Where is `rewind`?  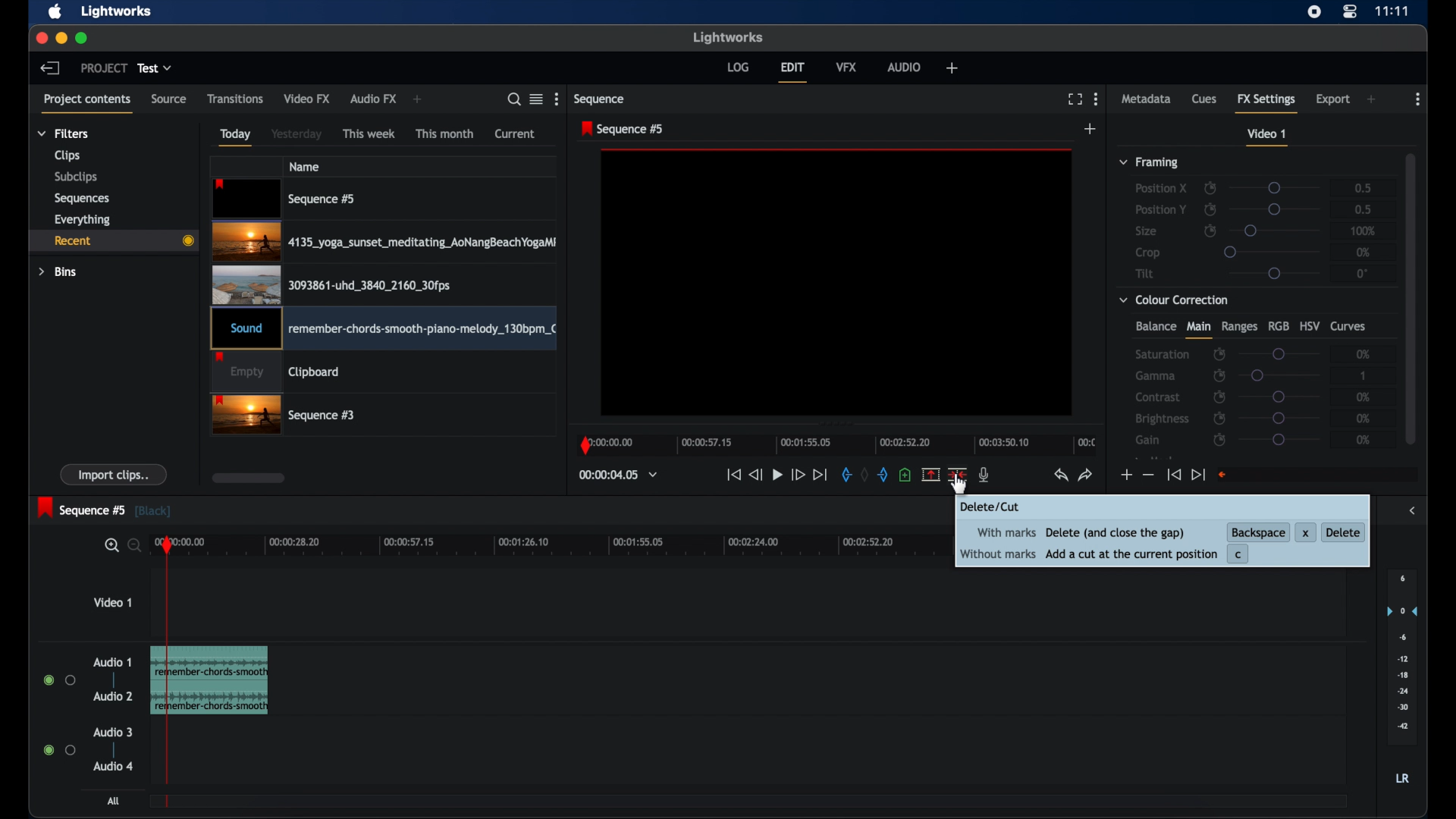
rewind is located at coordinates (754, 475).